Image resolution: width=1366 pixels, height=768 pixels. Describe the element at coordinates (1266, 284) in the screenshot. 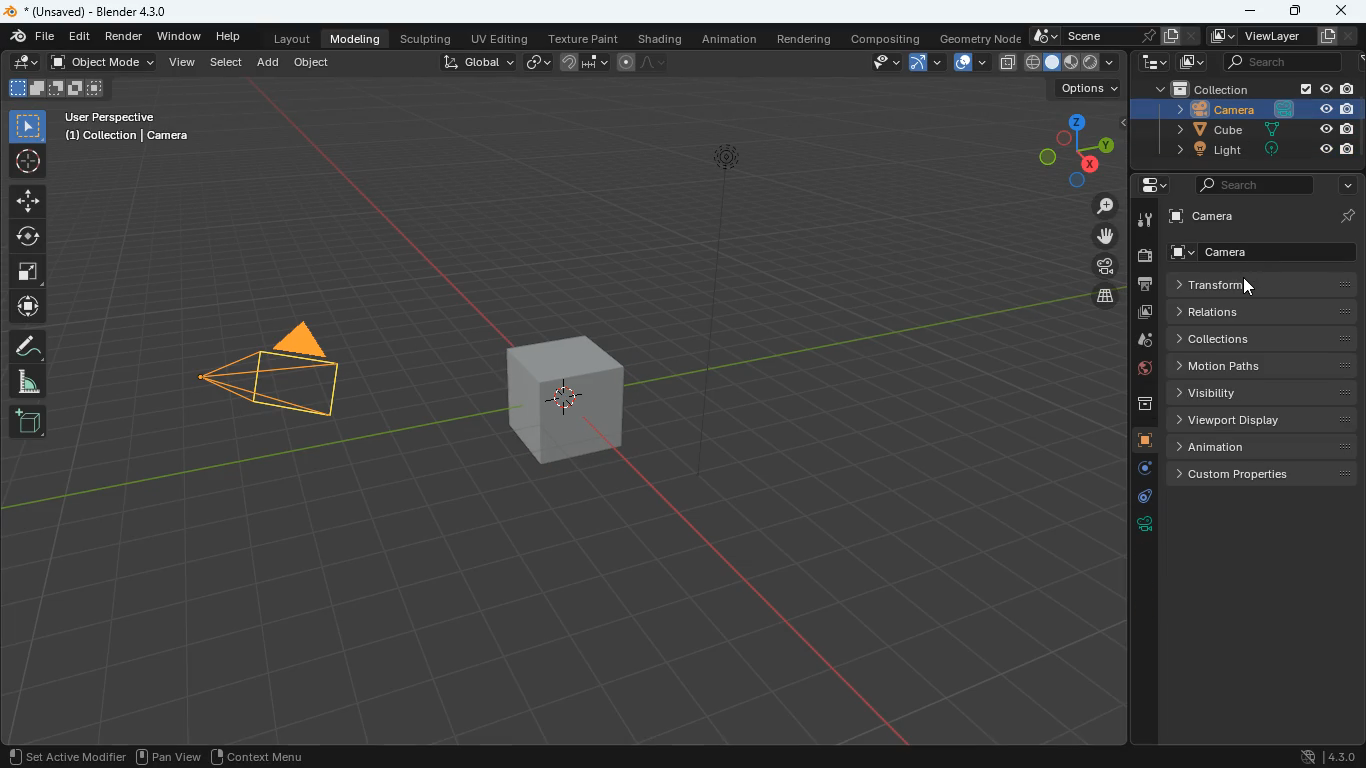

I see `transform` at that location.